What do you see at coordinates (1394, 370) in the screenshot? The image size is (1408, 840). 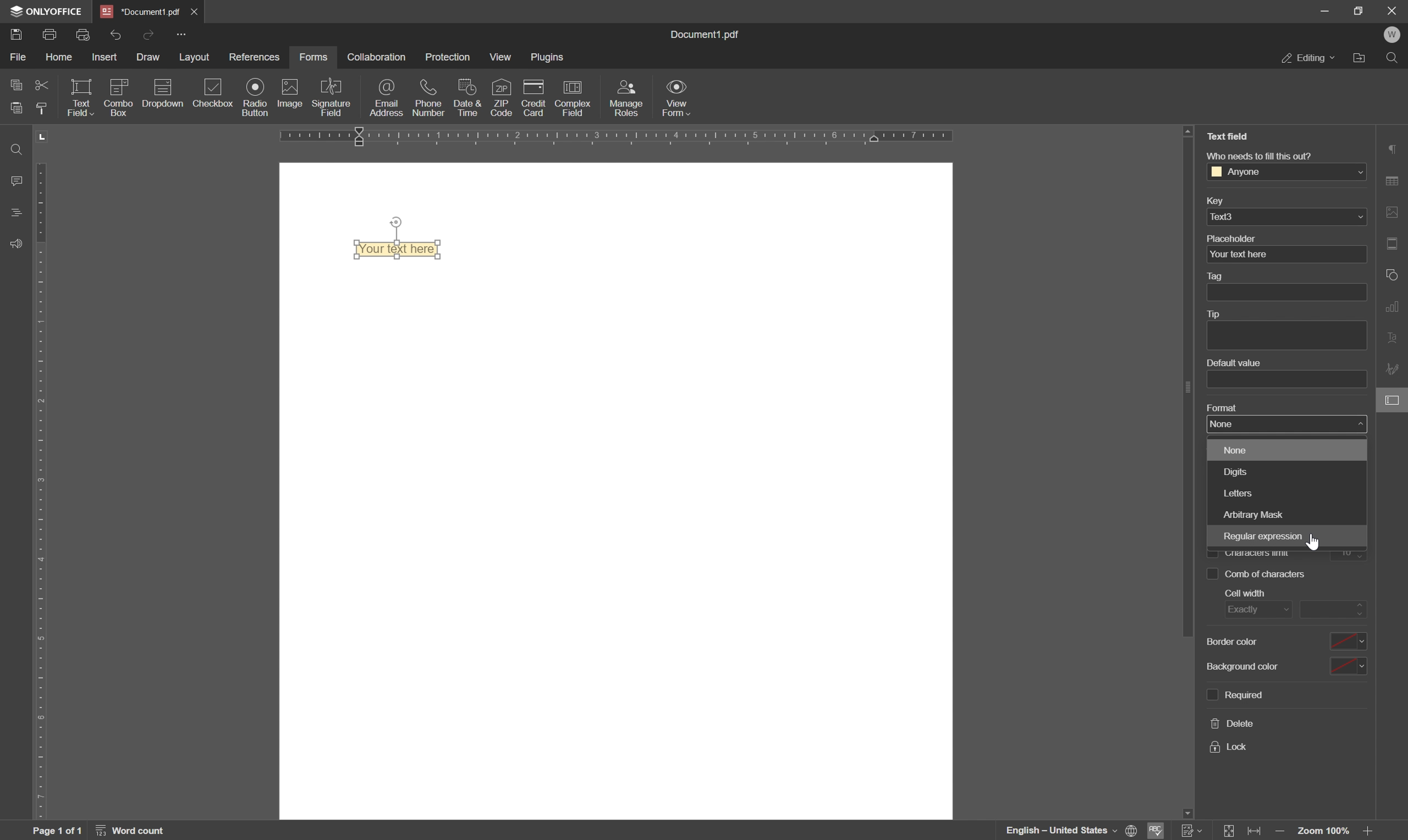 I see `signature settings` at bounding box center [1394, 370].